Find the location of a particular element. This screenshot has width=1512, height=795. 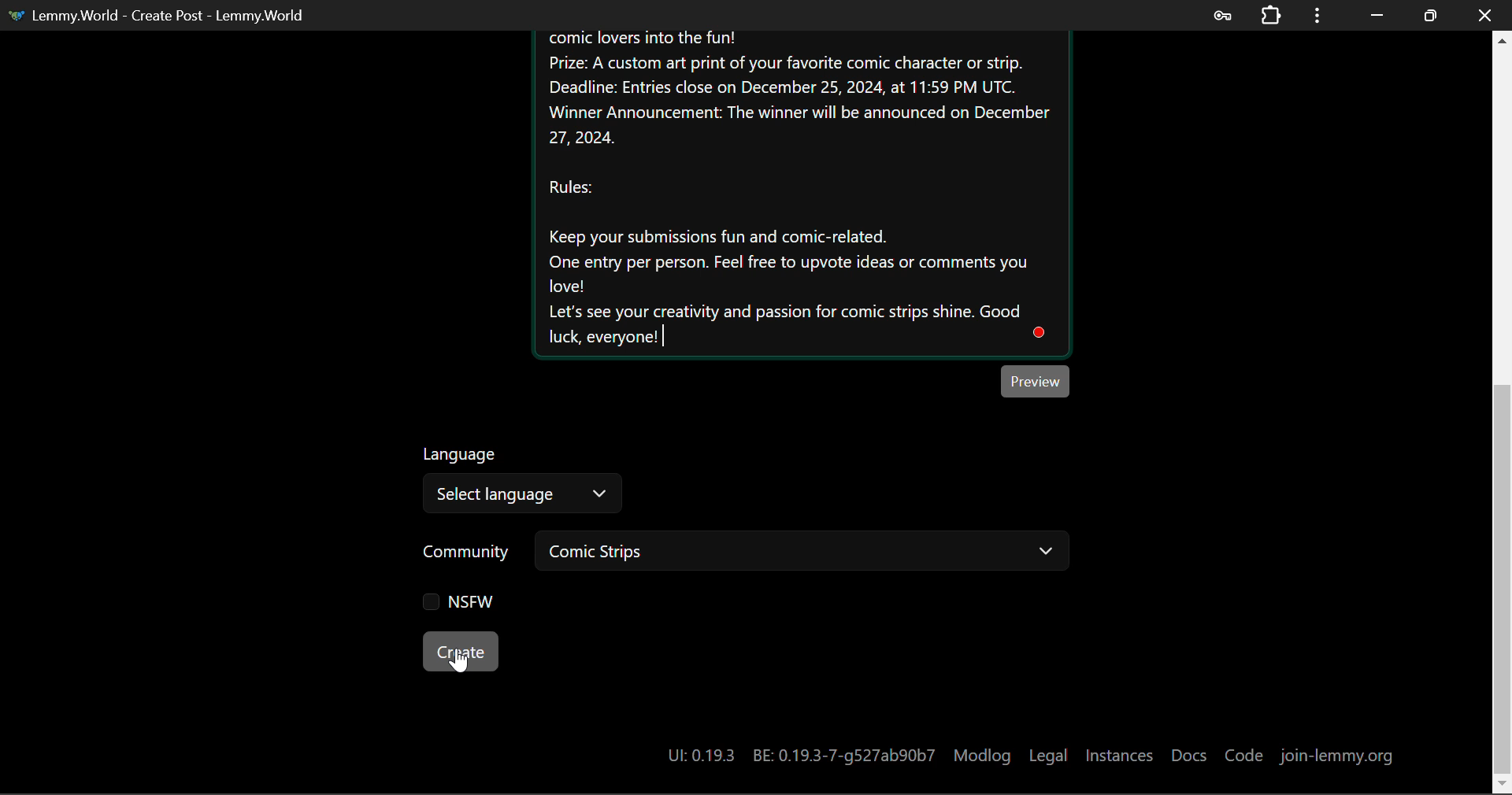

join-lemmy.org is located at coordinates (1334, 758).